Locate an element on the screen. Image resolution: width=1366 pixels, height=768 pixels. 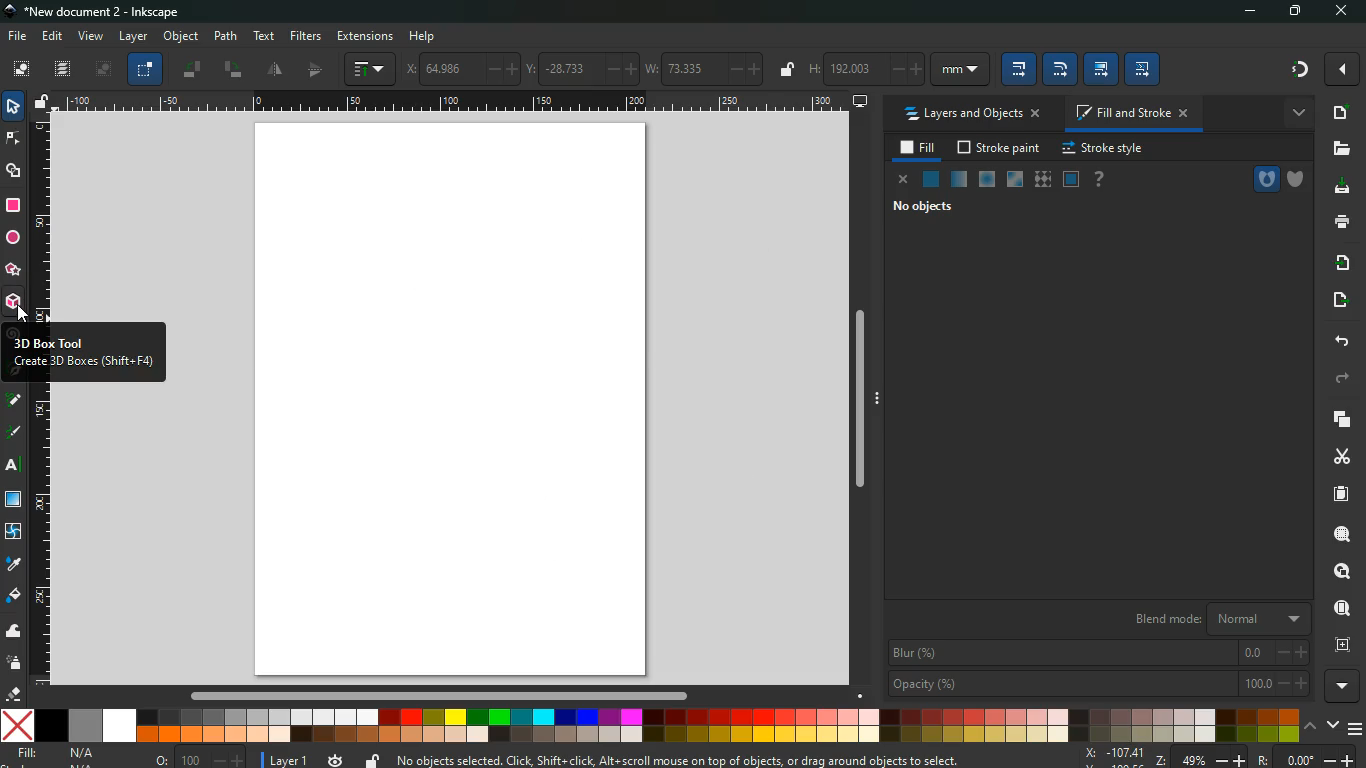
zoom is located at coordinates (1221, 758).